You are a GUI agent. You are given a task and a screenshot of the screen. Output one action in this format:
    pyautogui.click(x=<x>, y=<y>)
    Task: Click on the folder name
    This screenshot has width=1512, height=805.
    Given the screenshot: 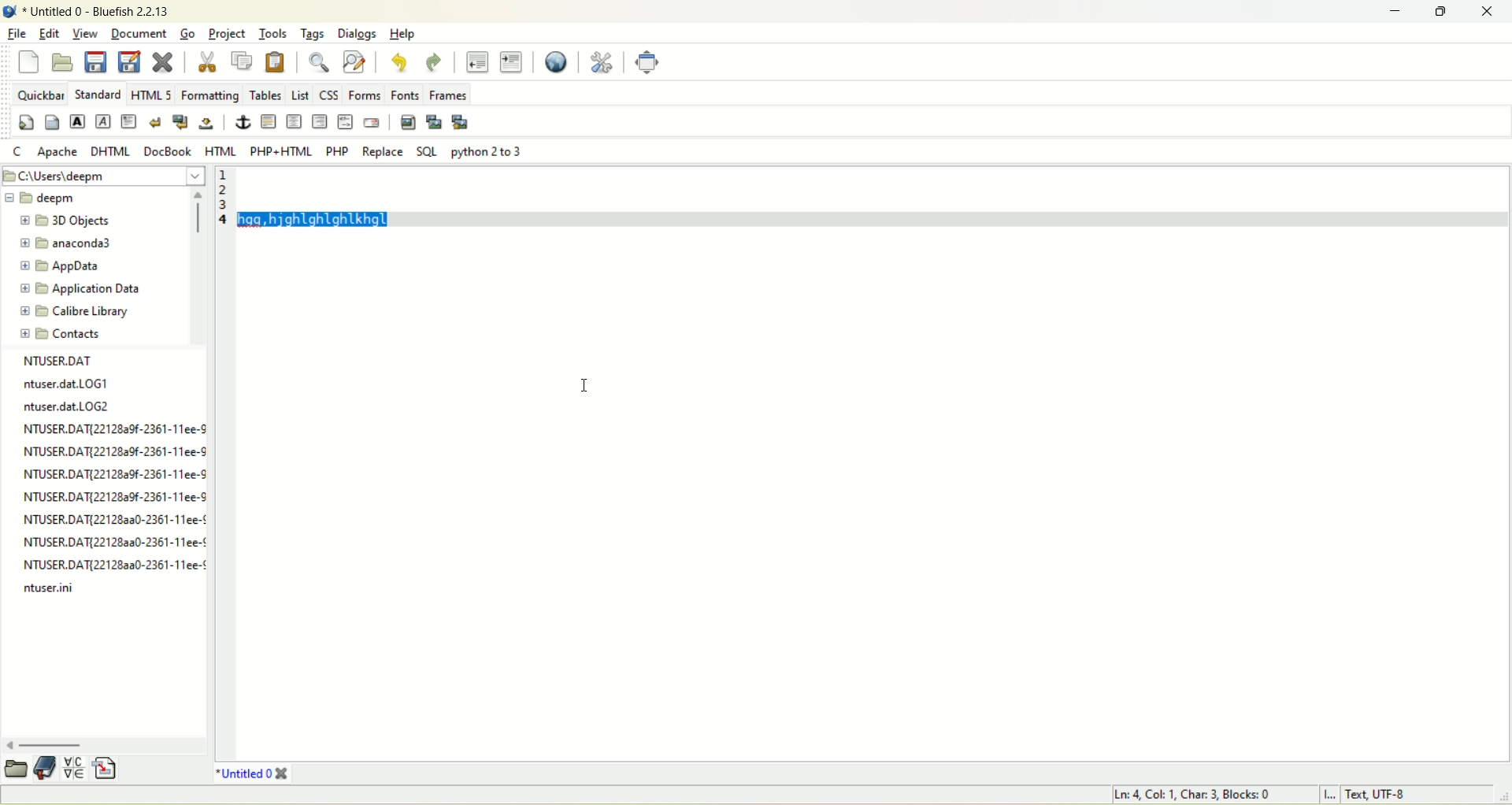 What is the action you would take?
    pyautogui.click(x=86, y=310)
    